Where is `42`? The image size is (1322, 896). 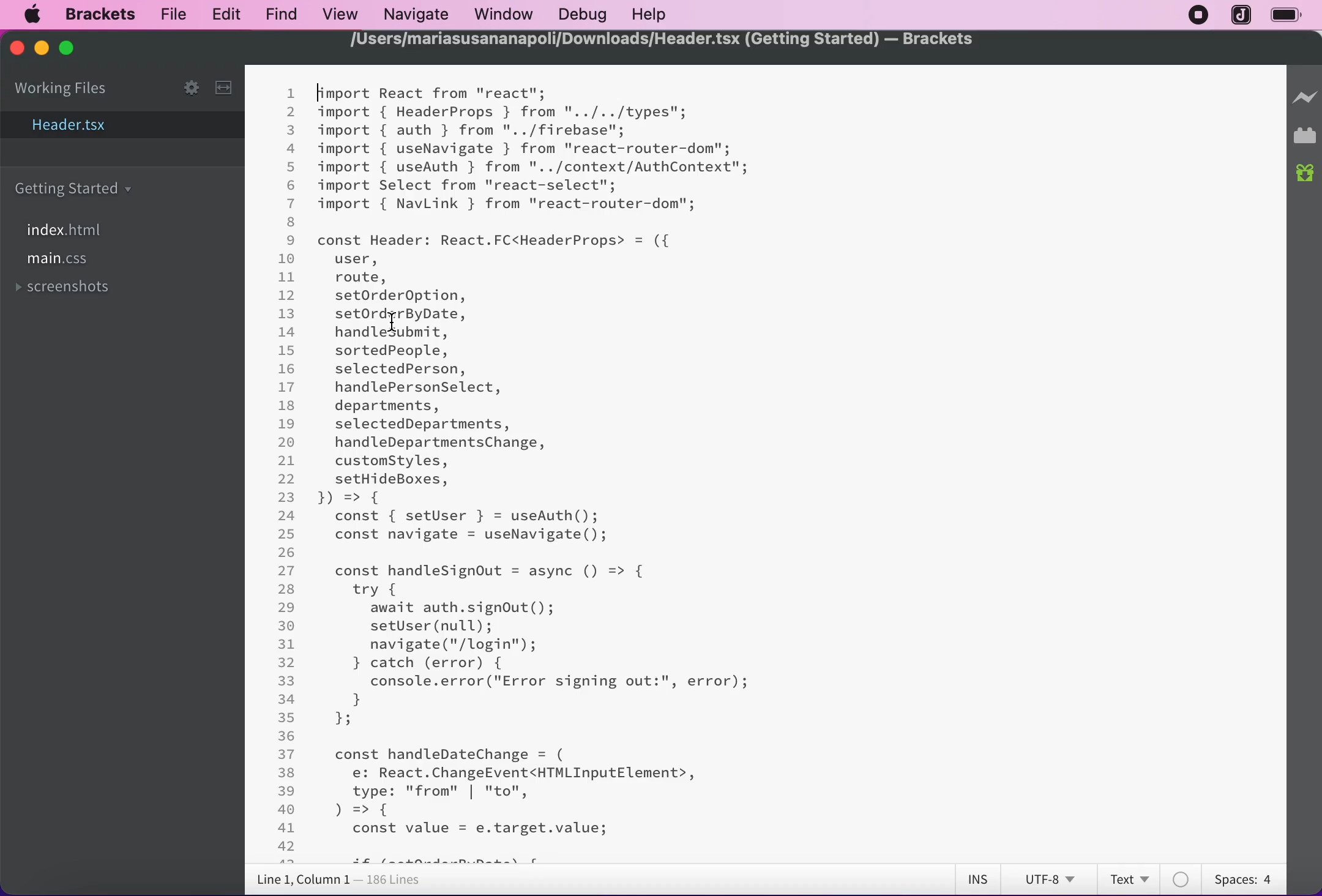 42 is located at coordinates (288, 846).